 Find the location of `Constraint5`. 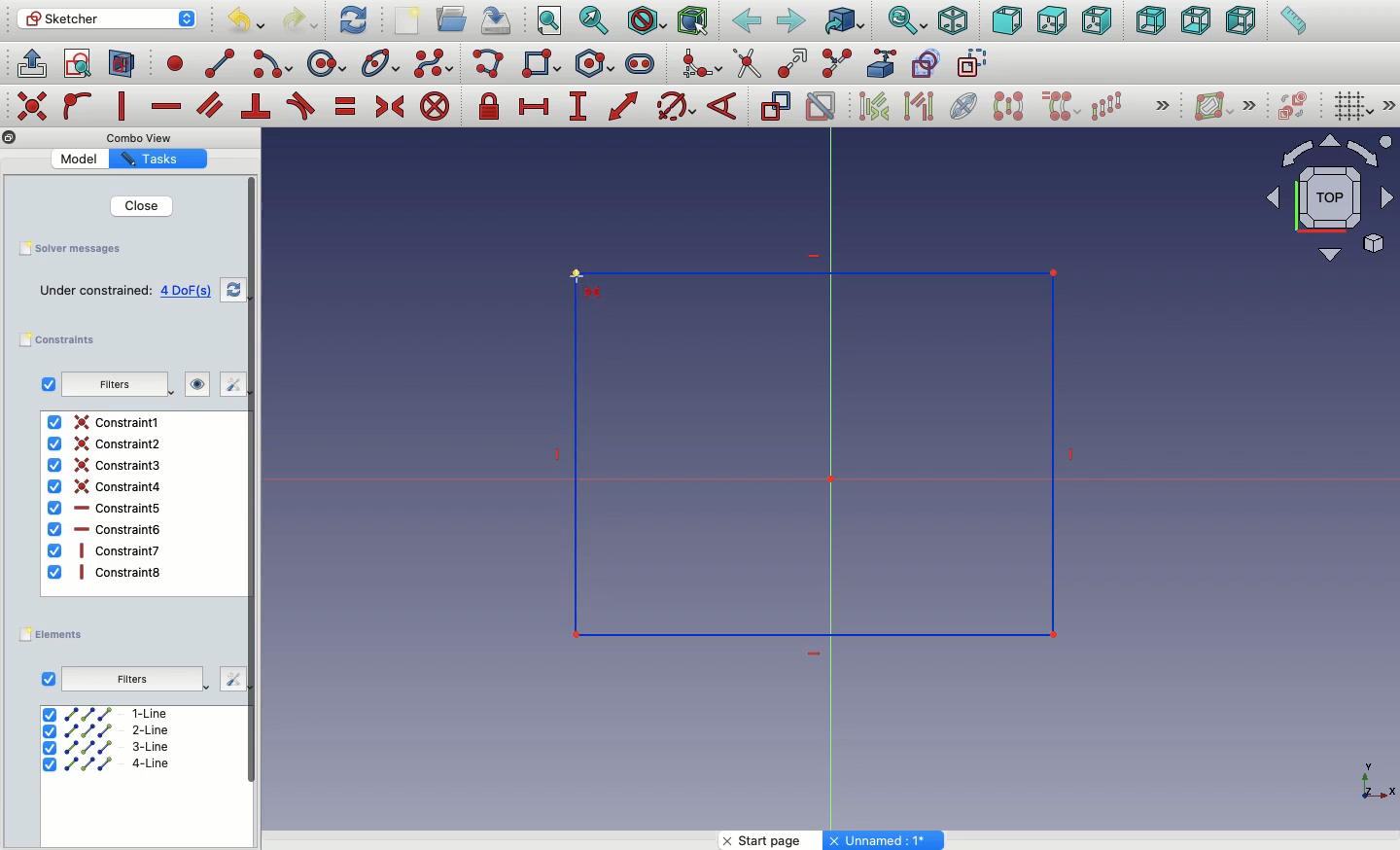

Constraint5 is located at coordinates (106, 509).